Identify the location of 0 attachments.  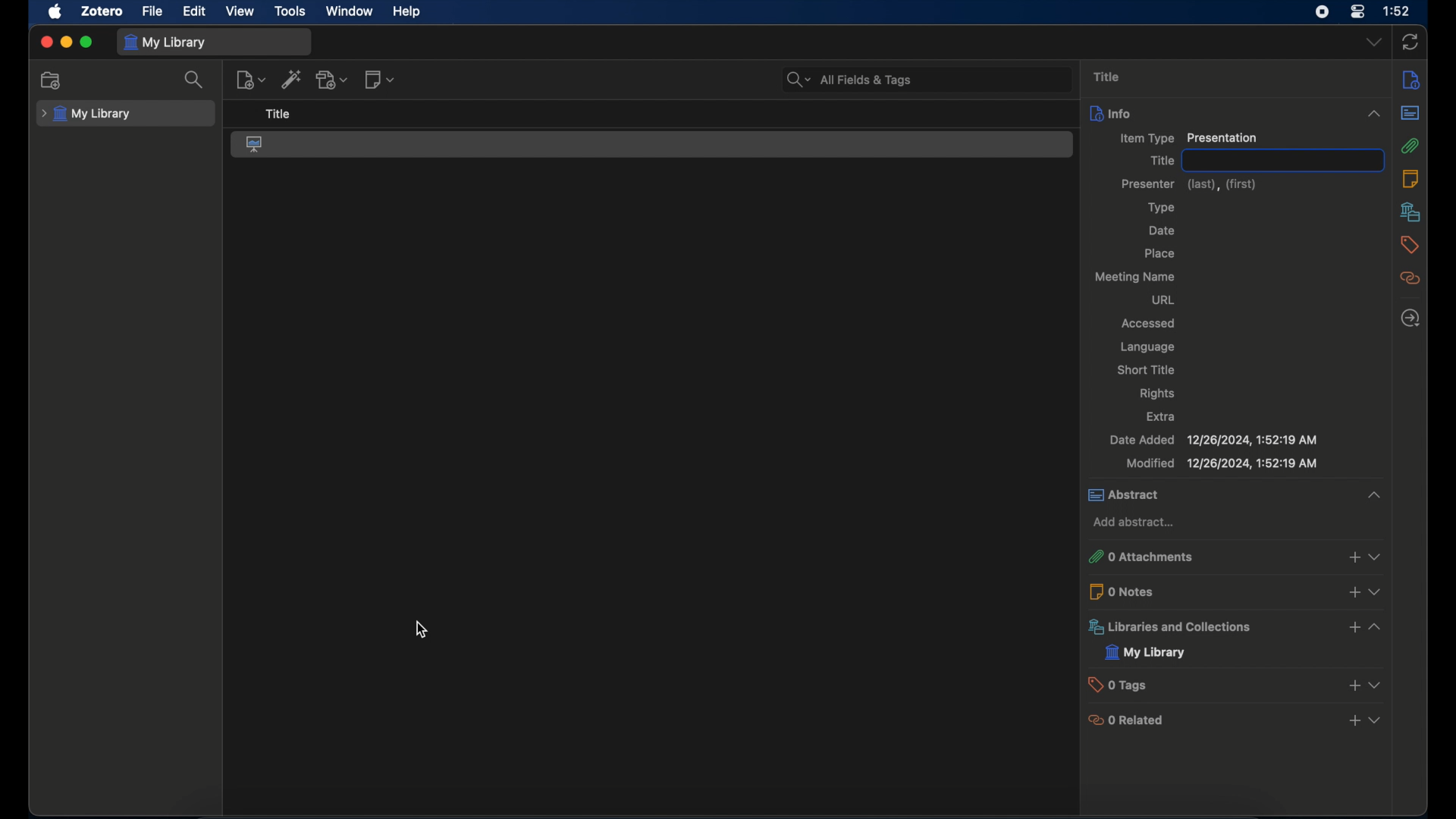
(1234, 557).